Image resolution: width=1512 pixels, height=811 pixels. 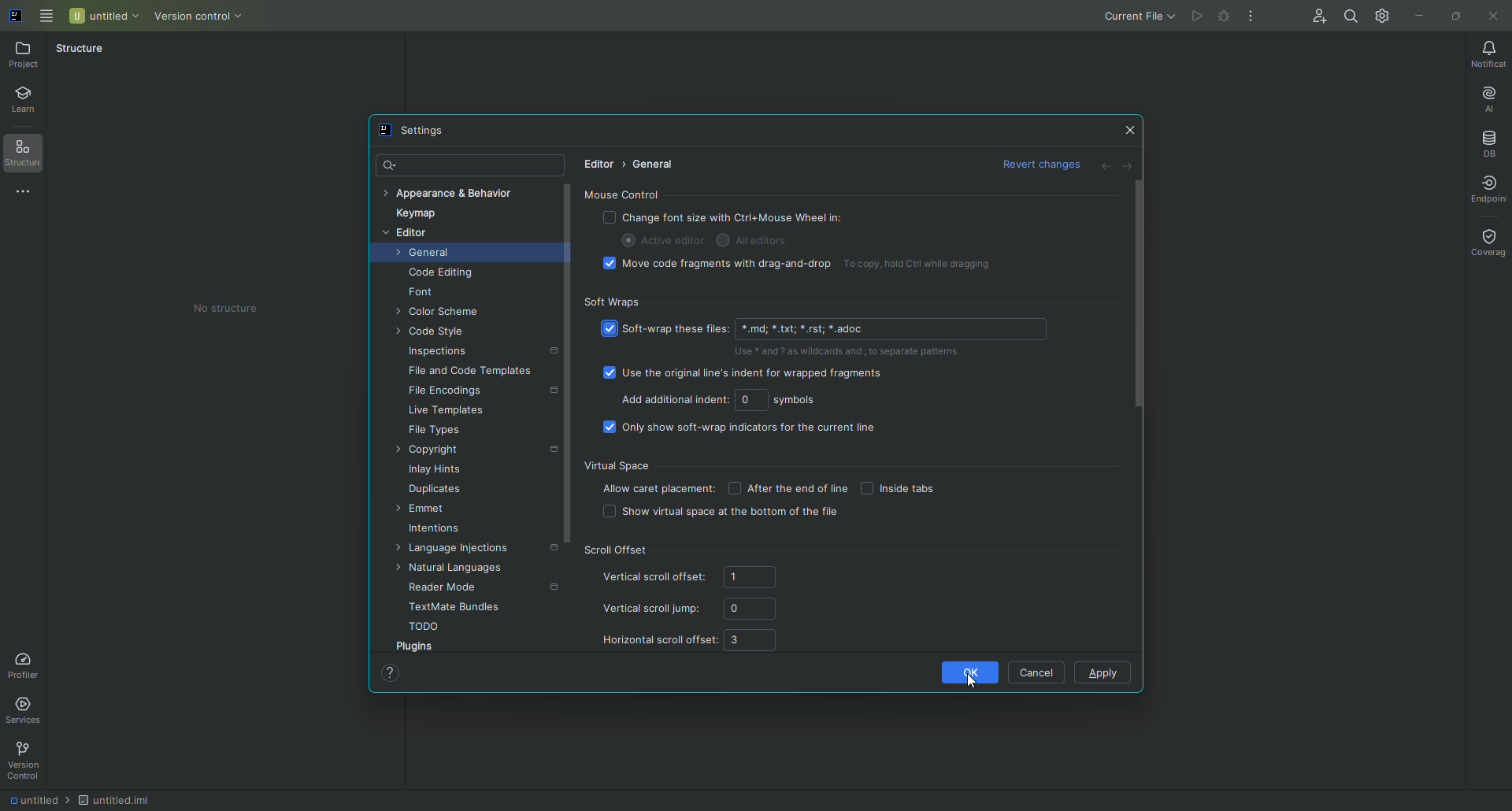 I want to click on Version Control, so click(x=195, y=16).